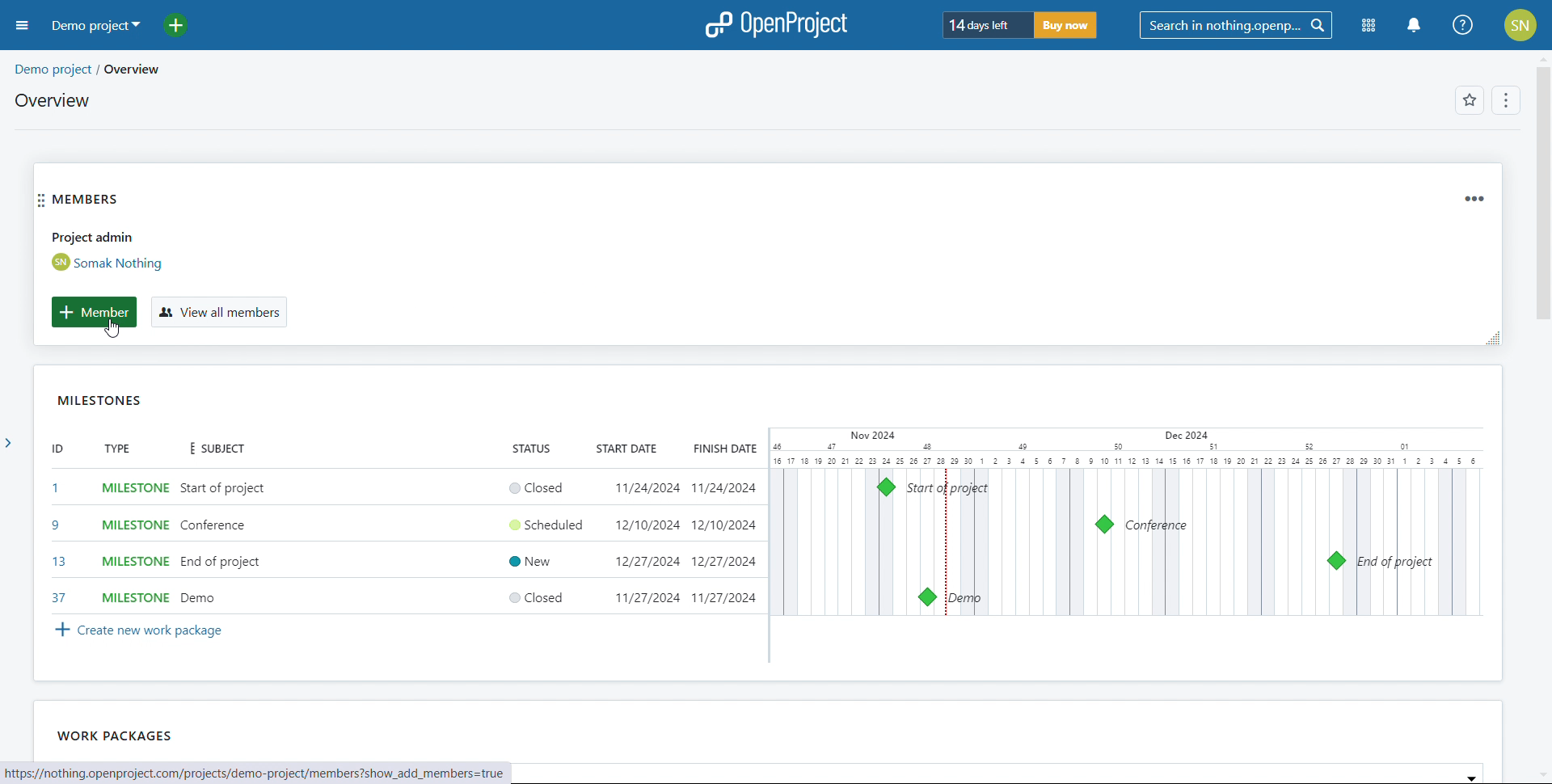  What do you see at coordinates (647, 527) in the screenshot?
I see `12/10/2024` at bounding box center [647, 527].